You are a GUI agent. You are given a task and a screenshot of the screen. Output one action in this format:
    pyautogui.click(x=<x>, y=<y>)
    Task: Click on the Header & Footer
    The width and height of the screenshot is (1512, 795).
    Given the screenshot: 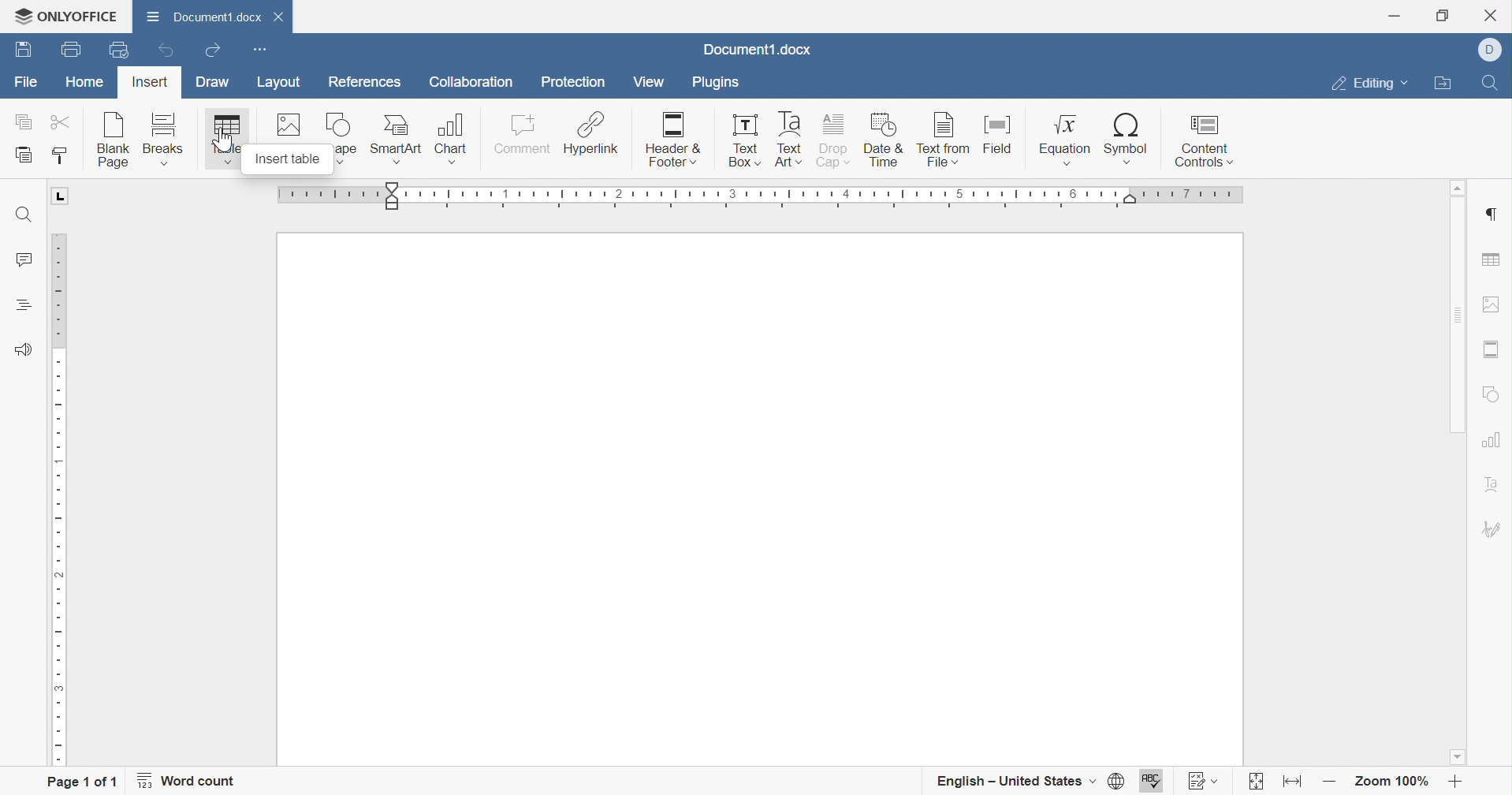 What is the action you would take?
    pyautogui.click(x=676, y=141)
    